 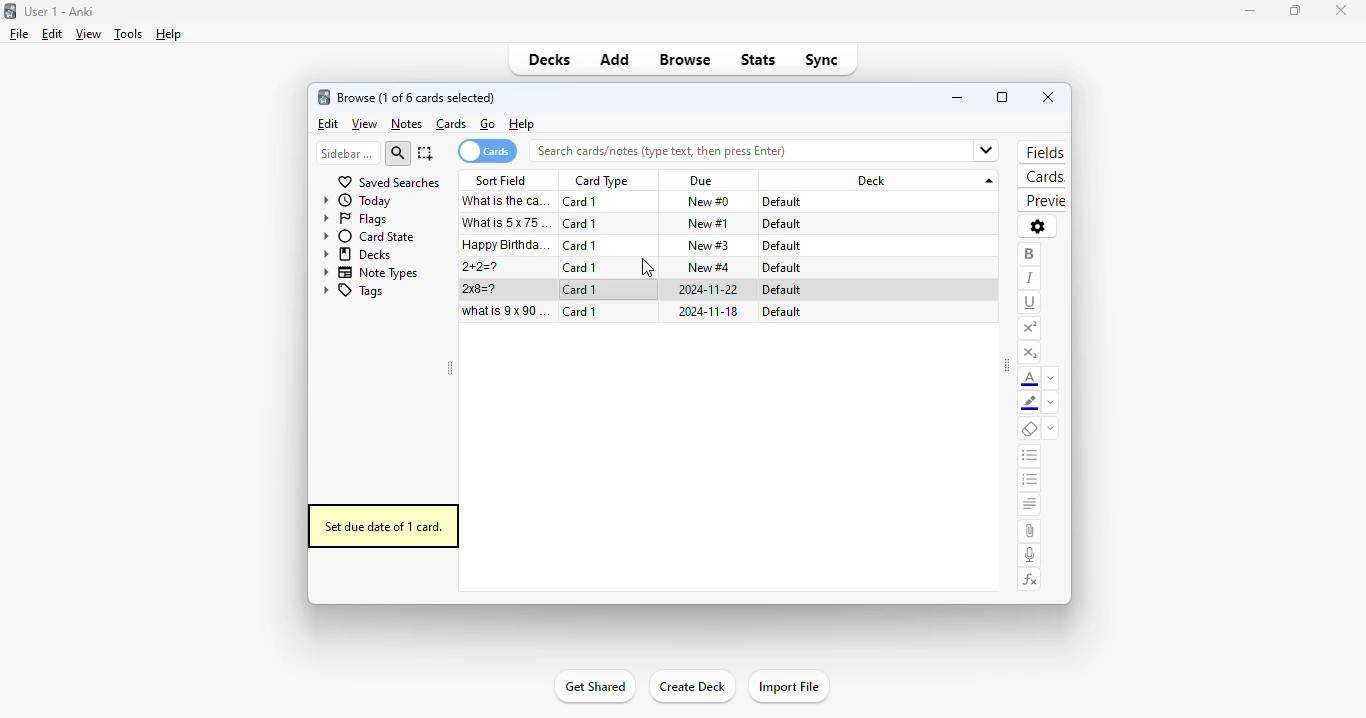 I want to click on decks, so click(x=550, y=59).